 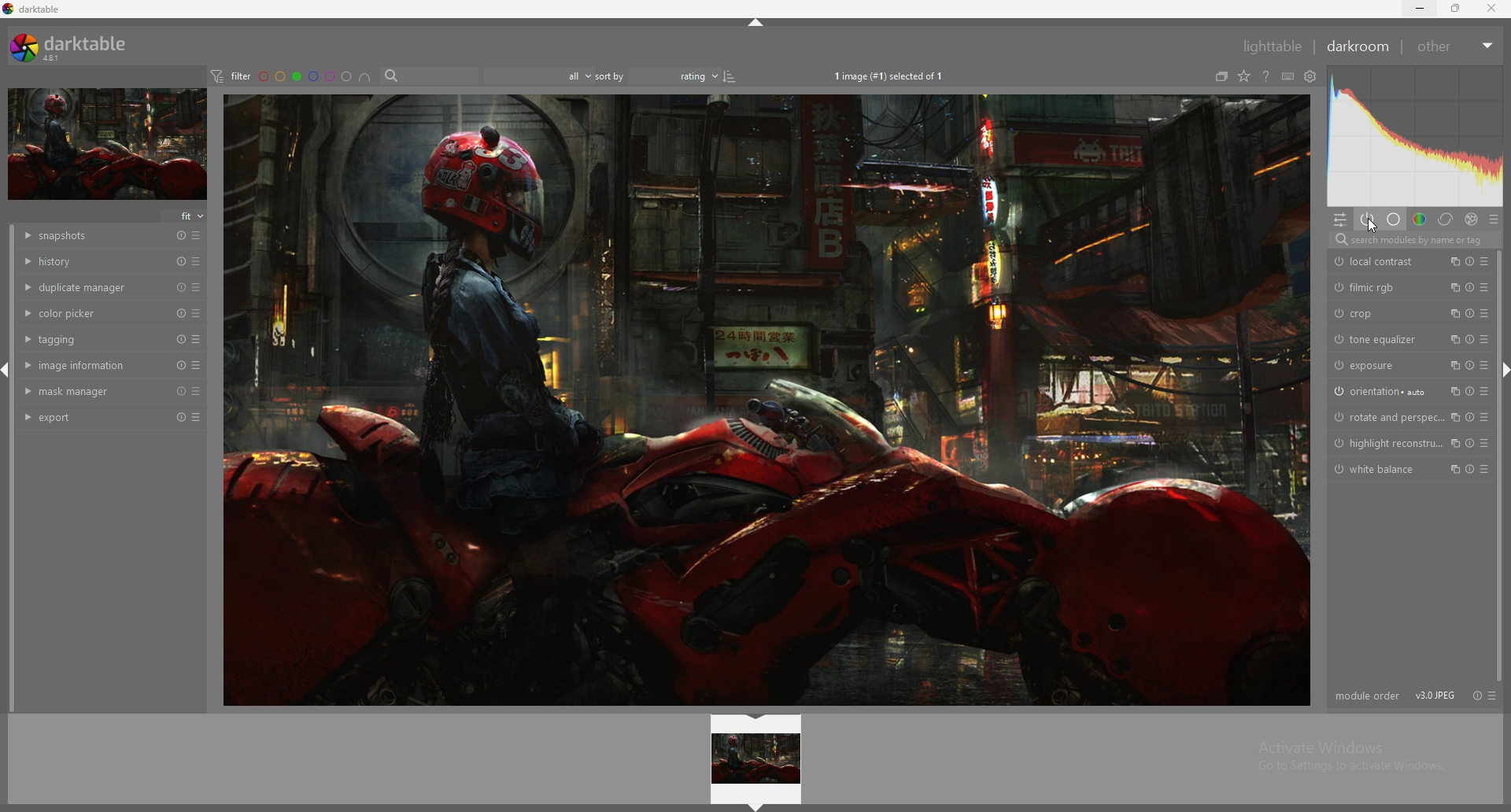 What do you see at coordinates (1467, 312) in the screenshot?
I see `reset` at bounding box center [1467, 312].